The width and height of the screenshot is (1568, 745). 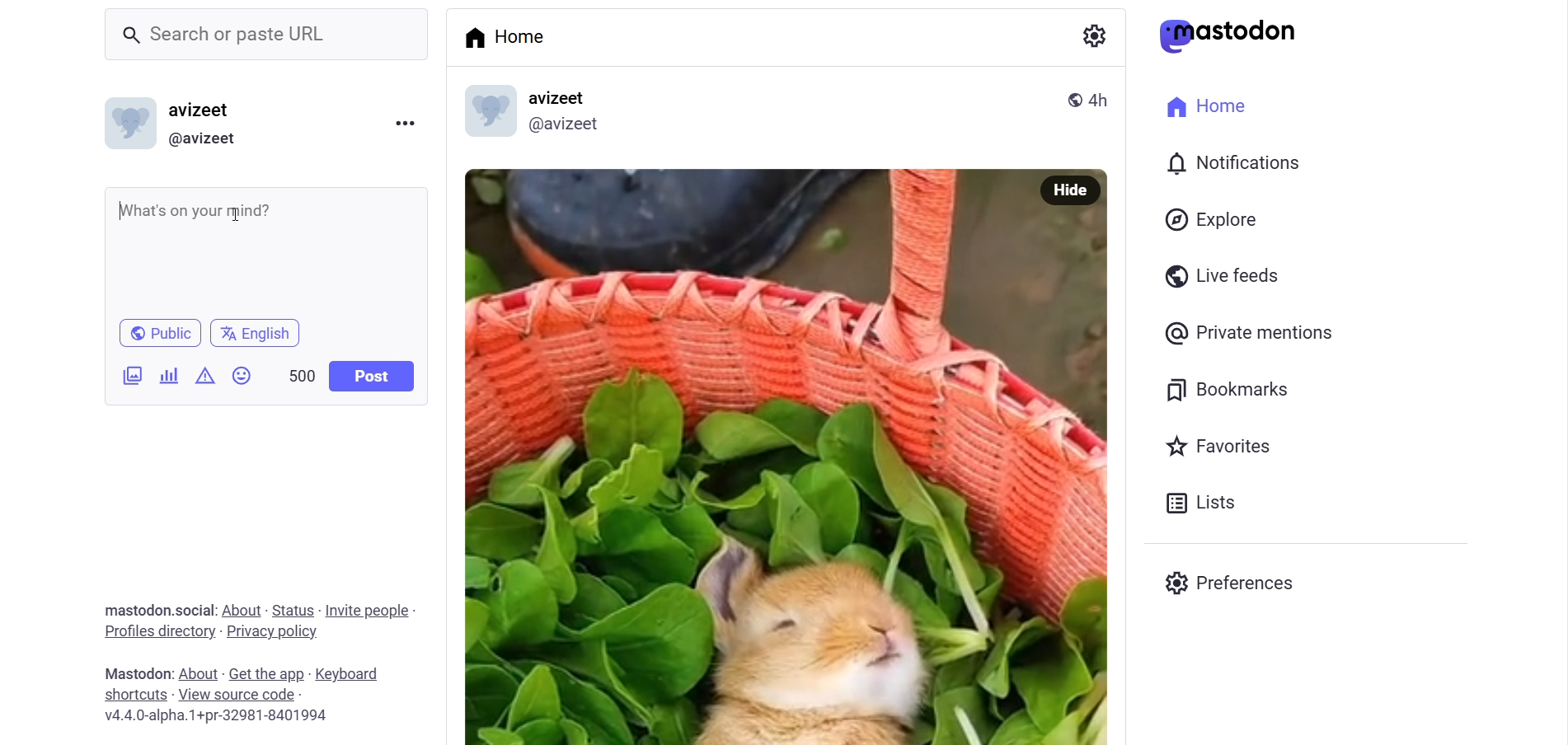 I want to click on Home, so click(x=1210, y=105).